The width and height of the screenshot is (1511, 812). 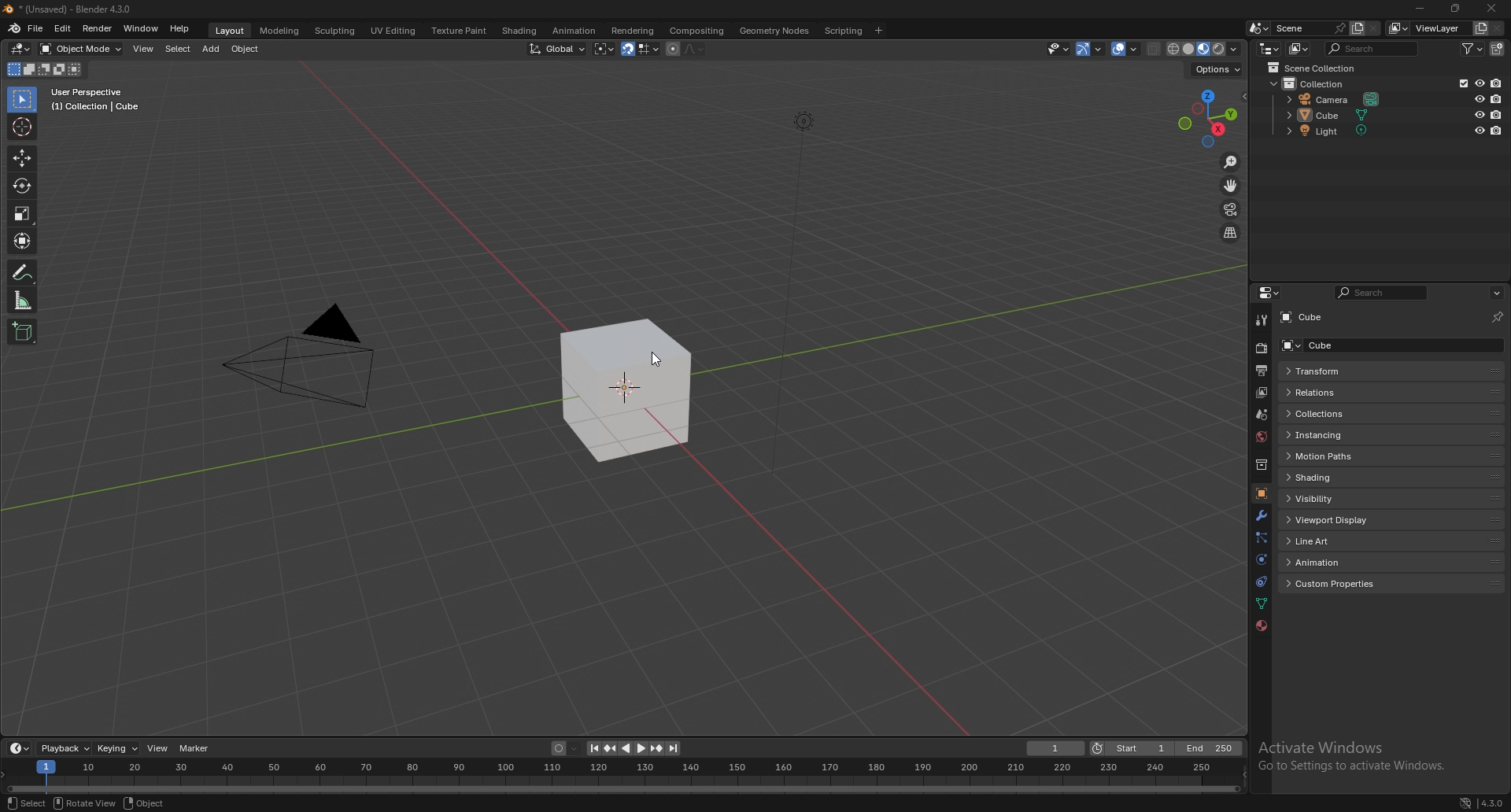 I want to click on jump to endpoint, so click(x=590, y=748).